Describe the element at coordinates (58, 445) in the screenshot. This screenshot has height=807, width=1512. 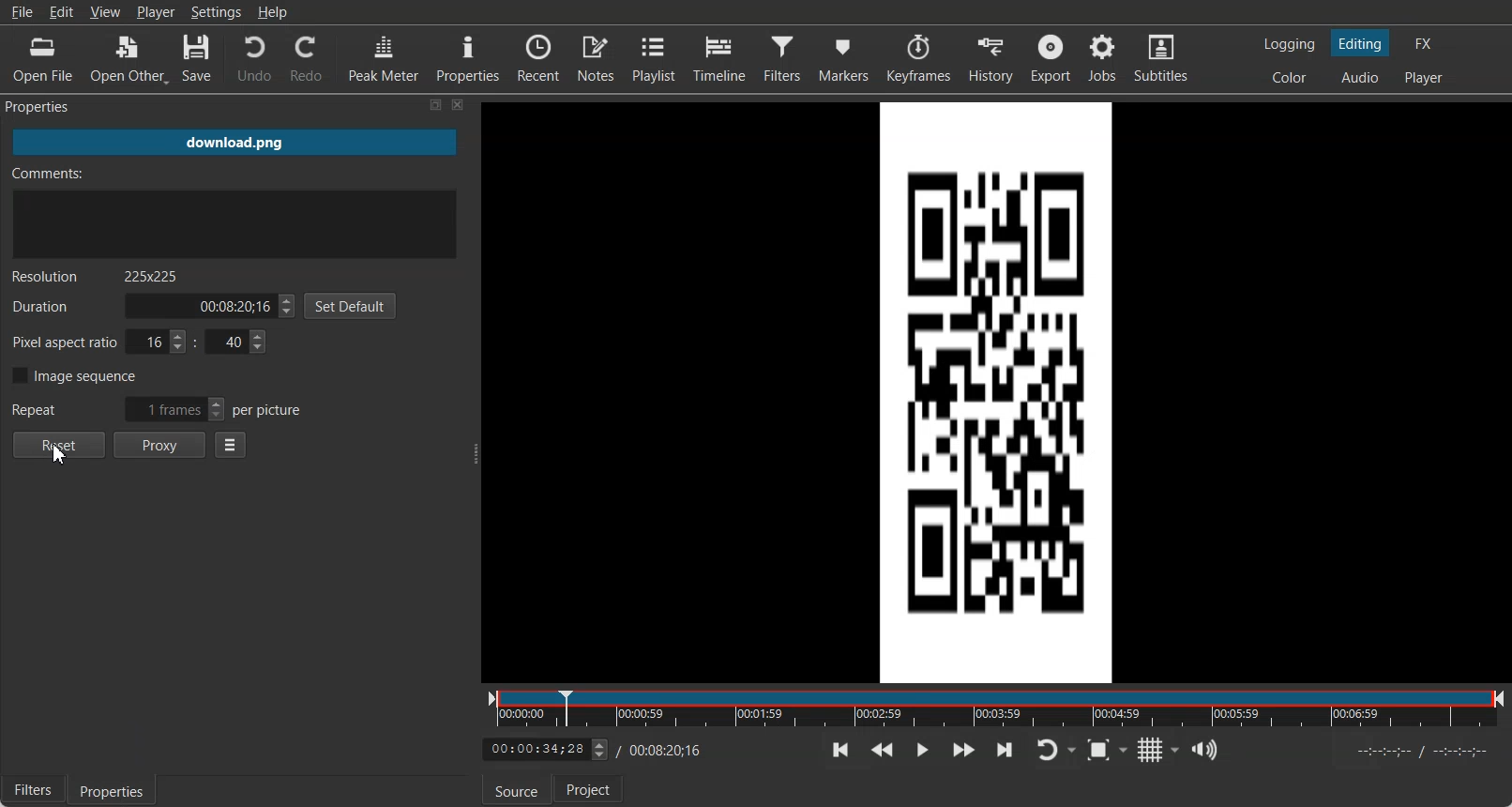
I see `Reset` at that location.